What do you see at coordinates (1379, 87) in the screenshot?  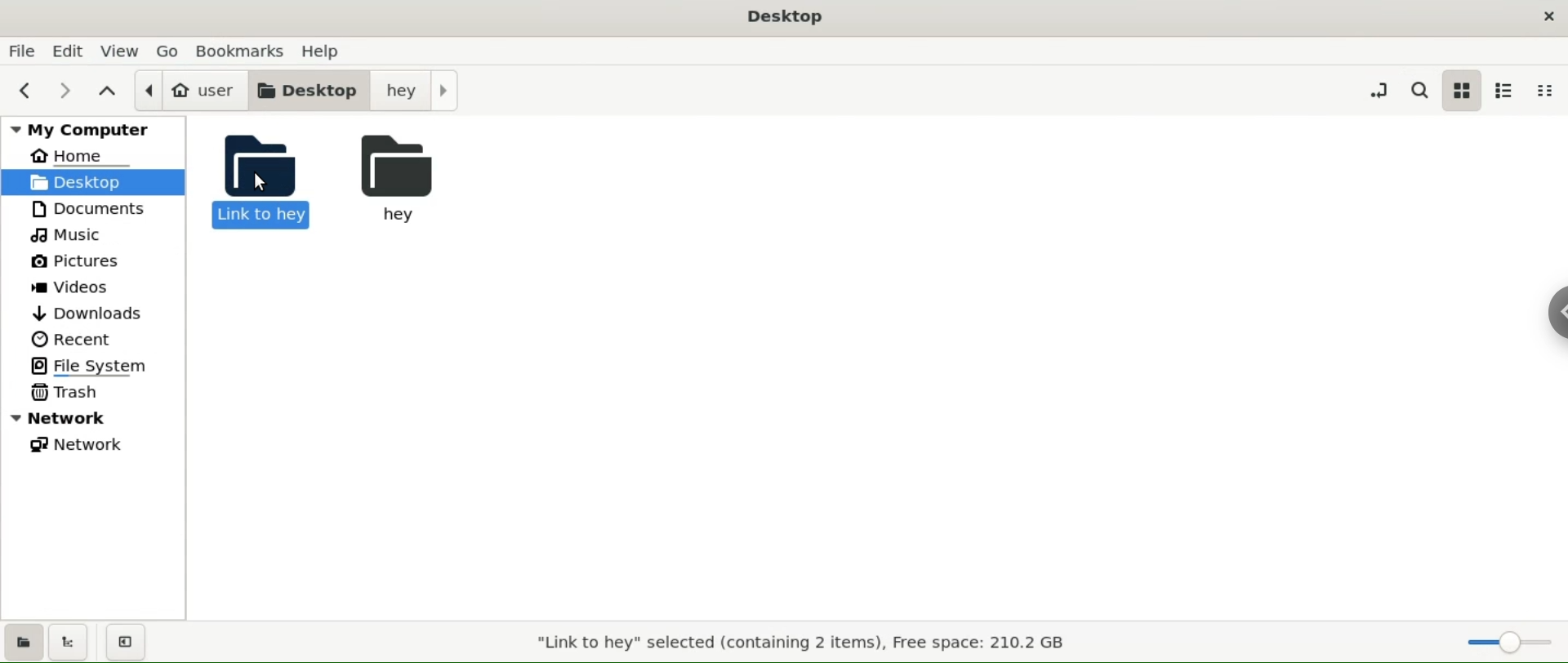 I see `toggle location entry` at bounding box center [1379, 87].